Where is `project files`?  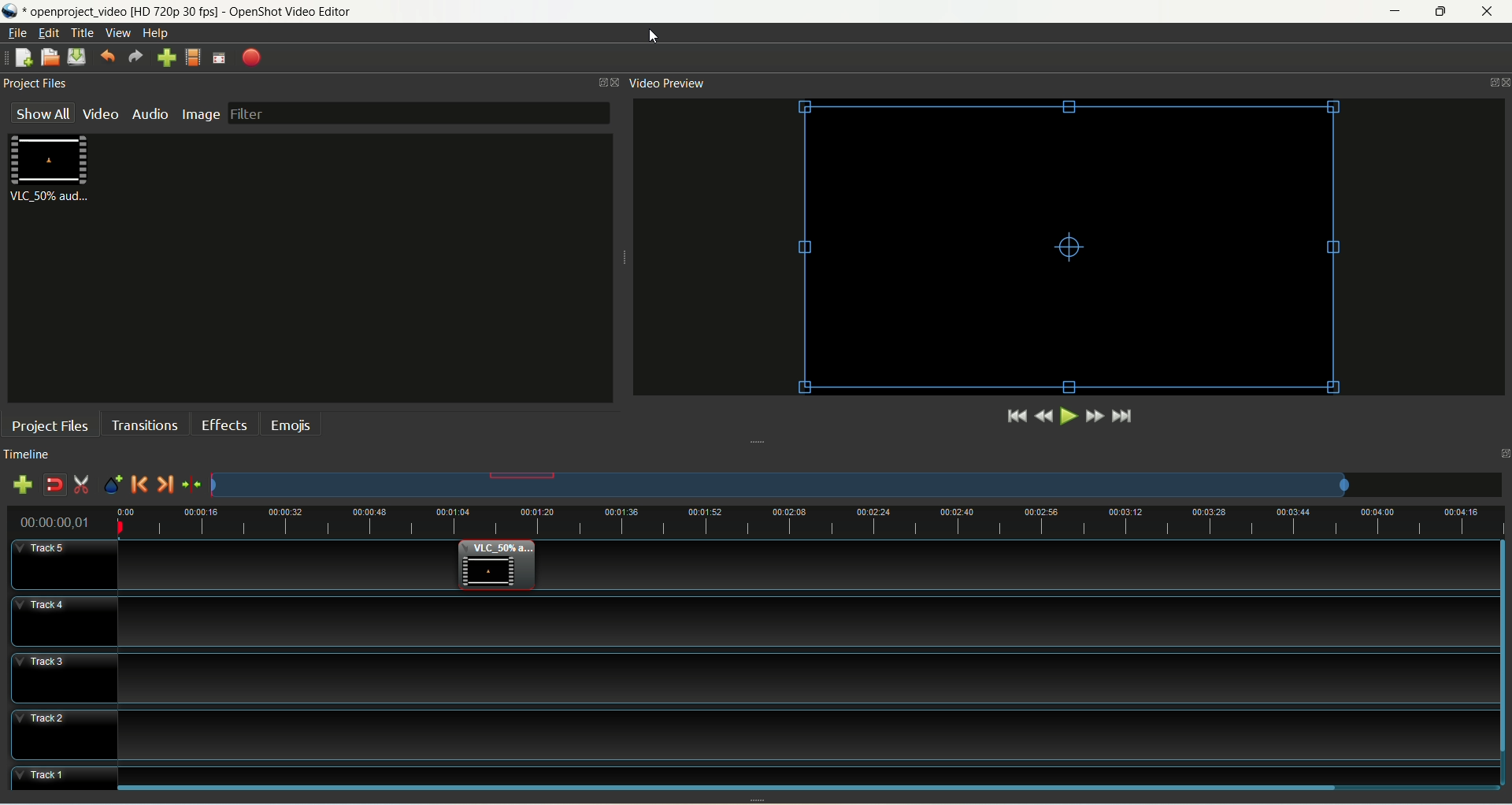
project files is located at coordinates (40, 83).